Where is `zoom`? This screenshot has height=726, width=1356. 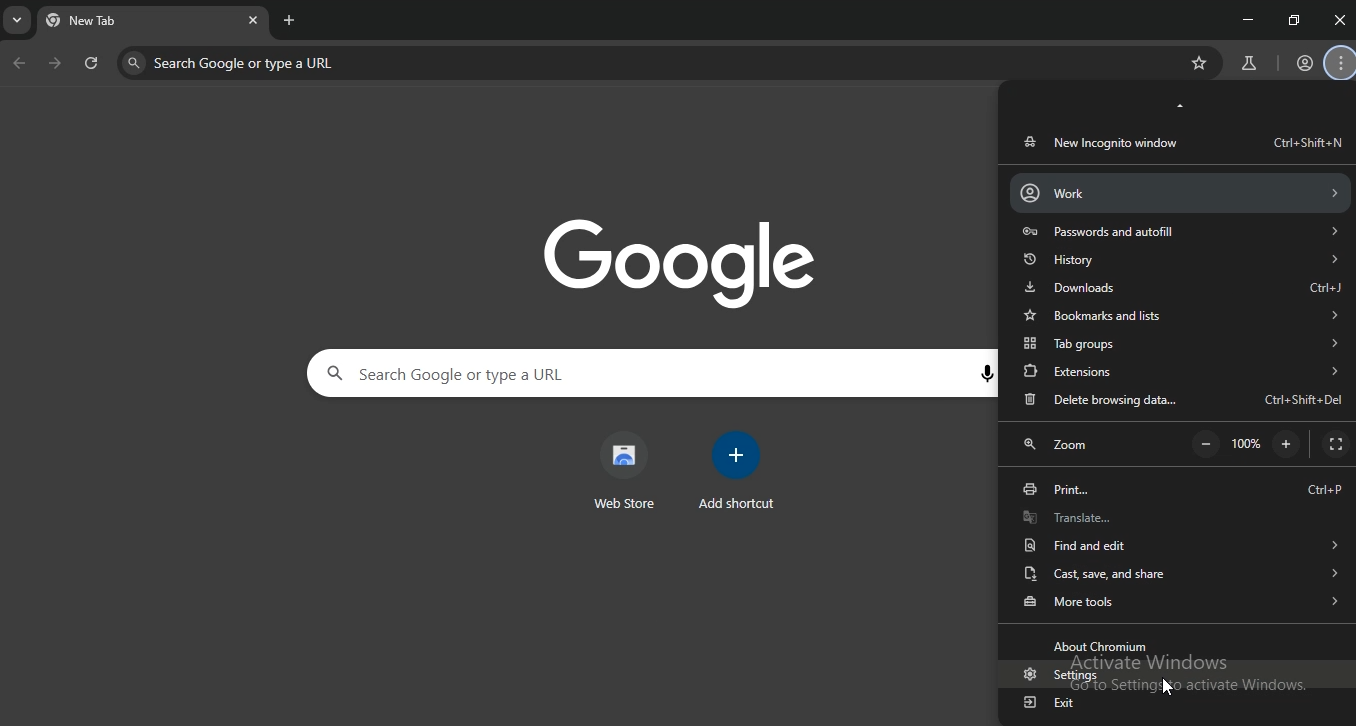 zoom is located at coordinates (1062, 447).